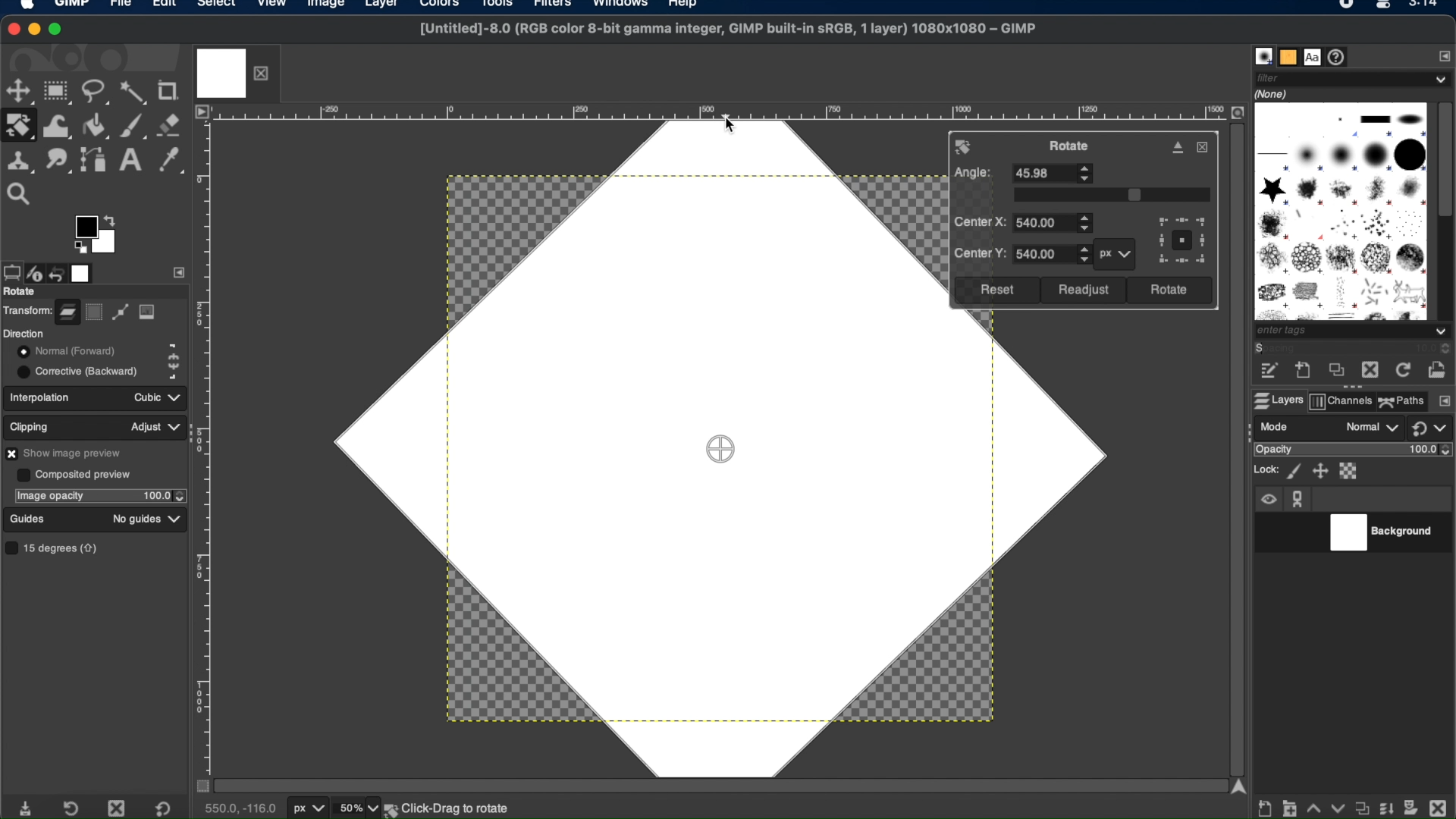  What do you see at coordinates (36, 30) in the screenshot?
I see `minimize` at bounding box center [36, 30].